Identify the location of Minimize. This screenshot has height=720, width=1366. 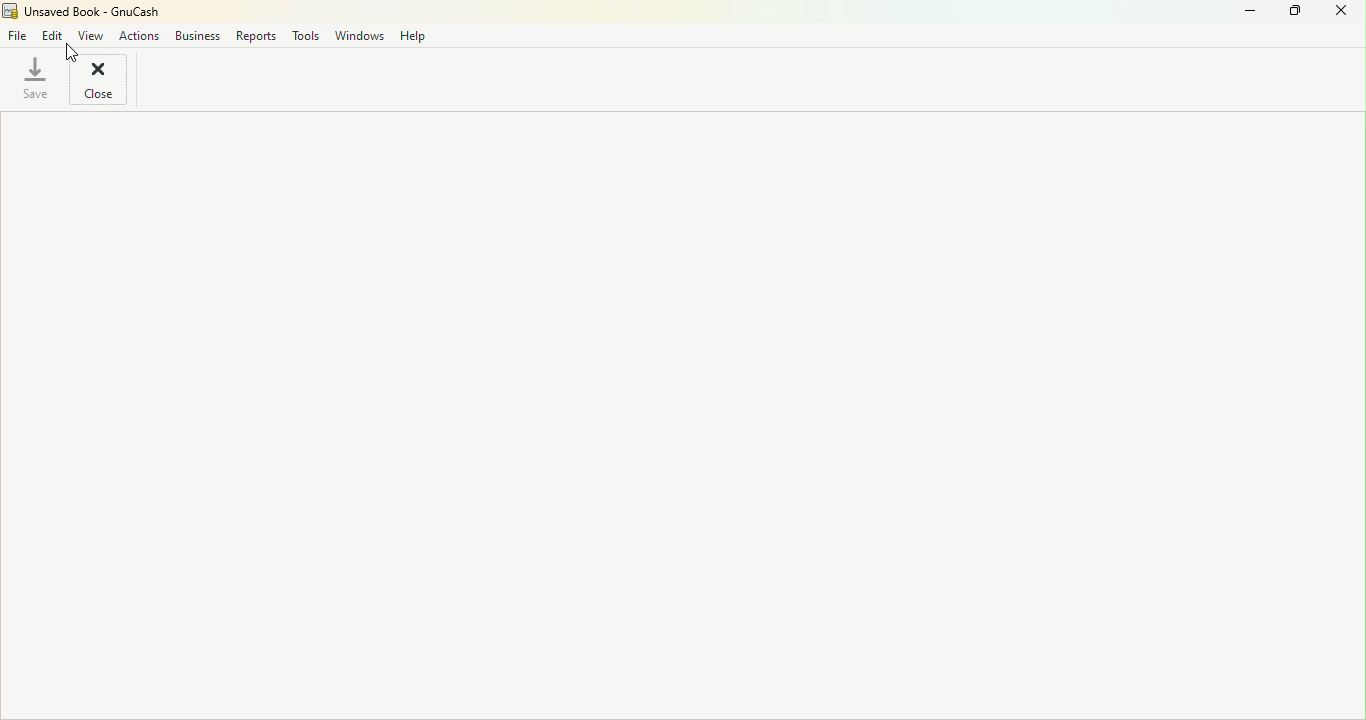
(1241, 13).